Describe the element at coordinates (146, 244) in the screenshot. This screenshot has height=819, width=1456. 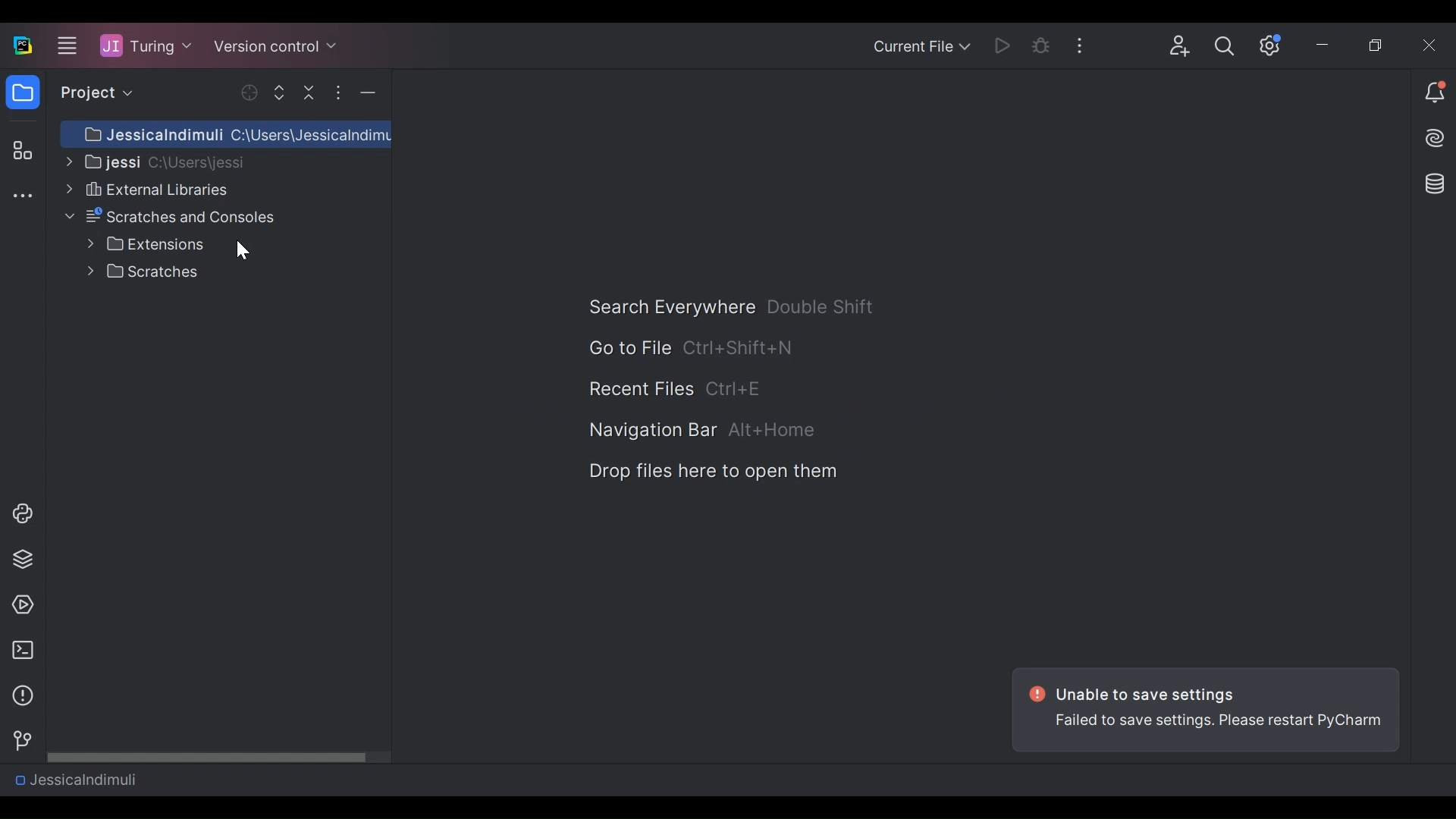
I see `Extensions` at that location.